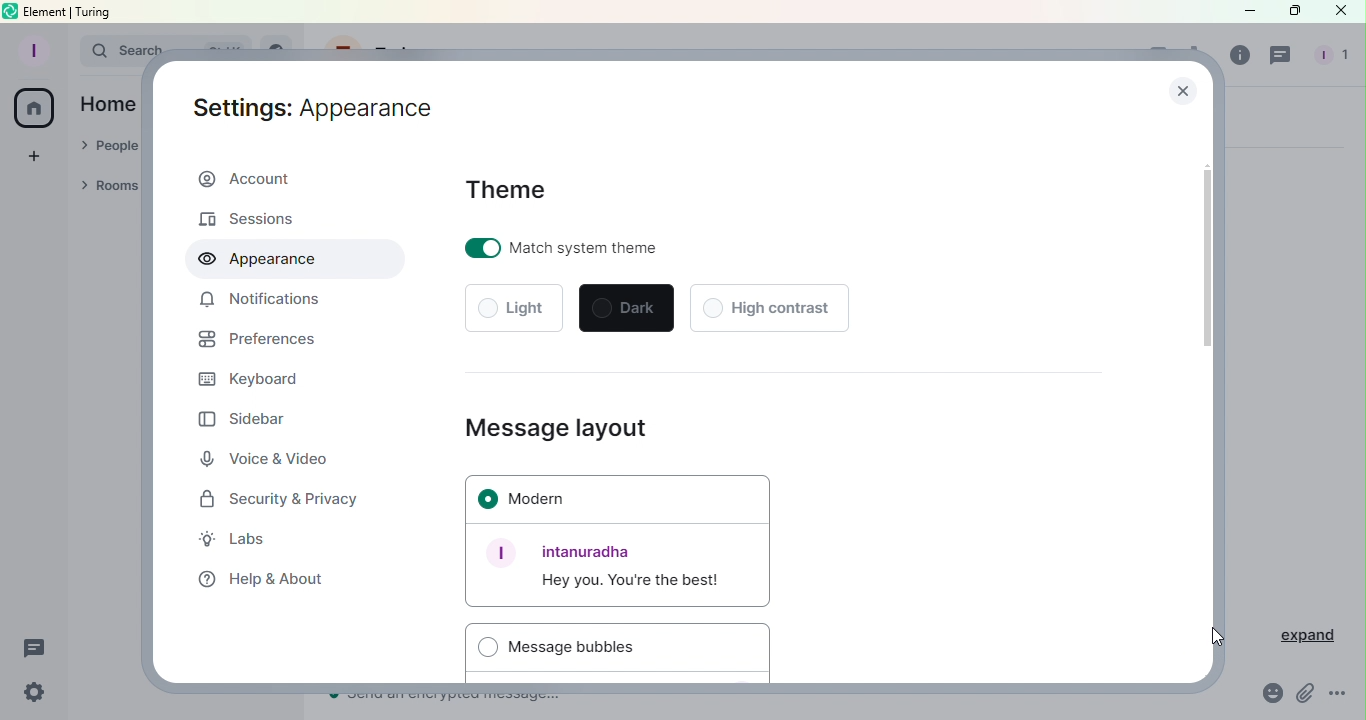  I want to click on Maximize, so click(1291, 12).